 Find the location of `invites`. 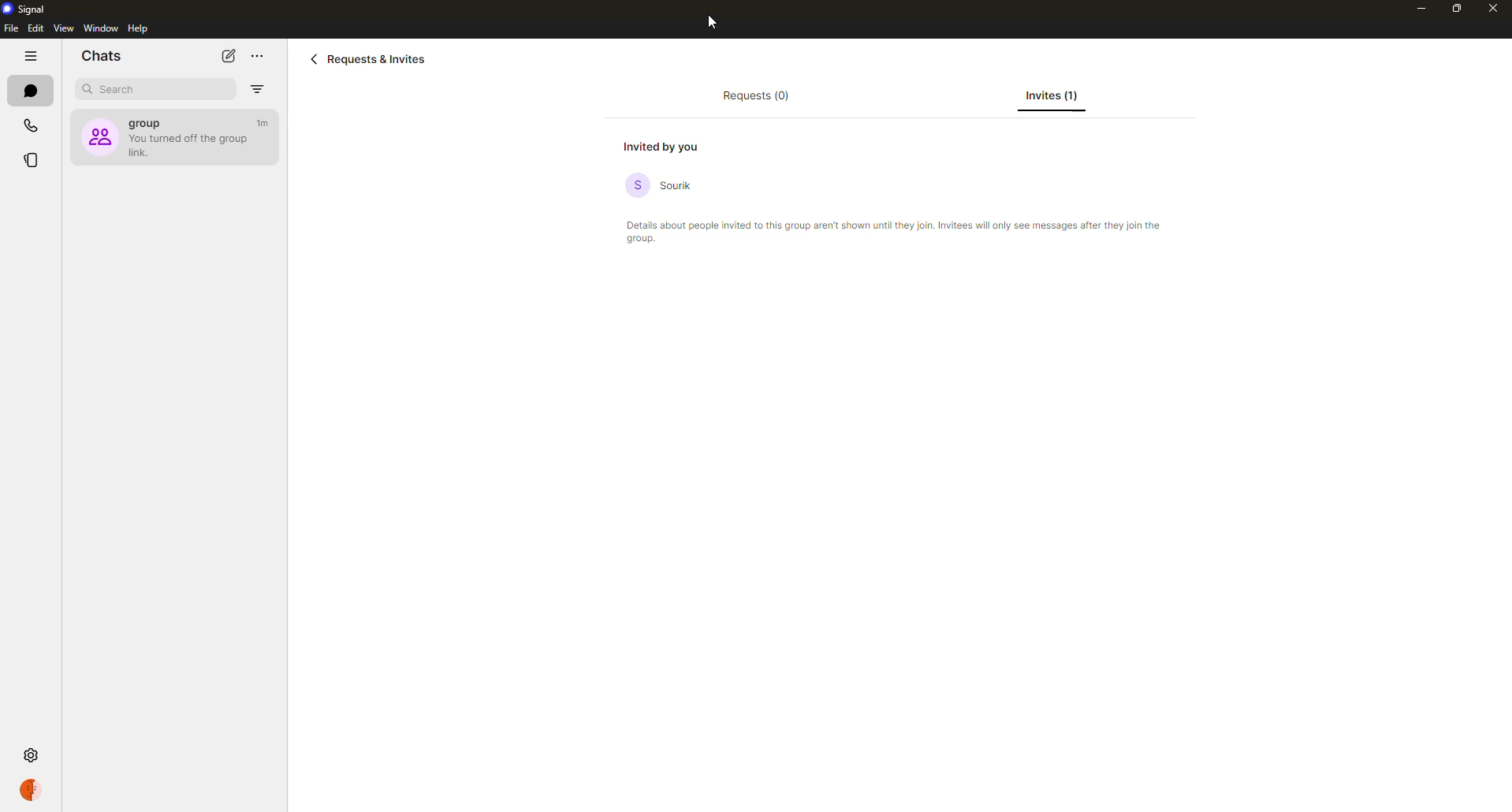

invites is located at coordinates (1052, 95).